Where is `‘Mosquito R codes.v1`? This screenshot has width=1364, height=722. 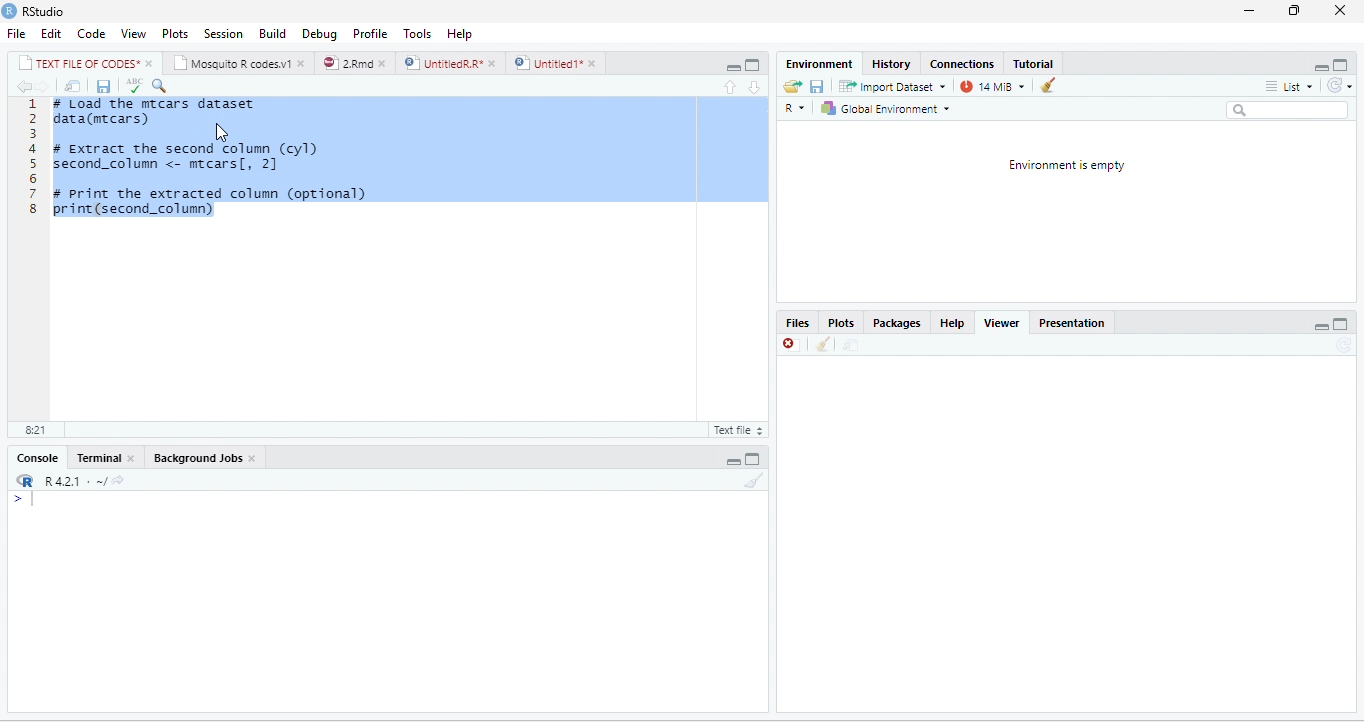
‘Mosquito R codes.v1 is located at coordinates (232, 62).